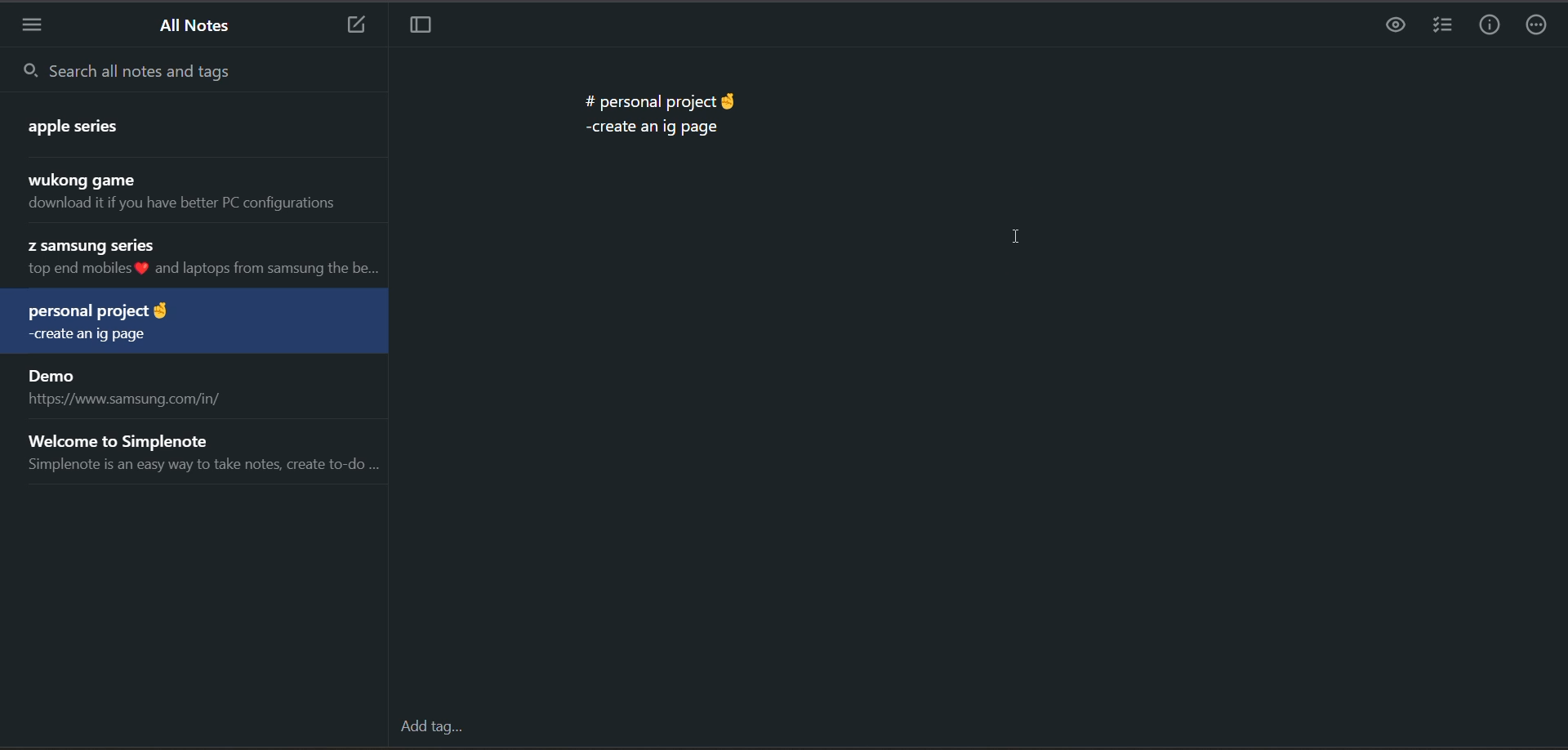 The width and height of the screenshot is (1568, 750). What do you see at coordinates (200, 453) in the screenshot?
I see `note title and preview sorted in reverse chronological order` at bounding box center [200, 453].